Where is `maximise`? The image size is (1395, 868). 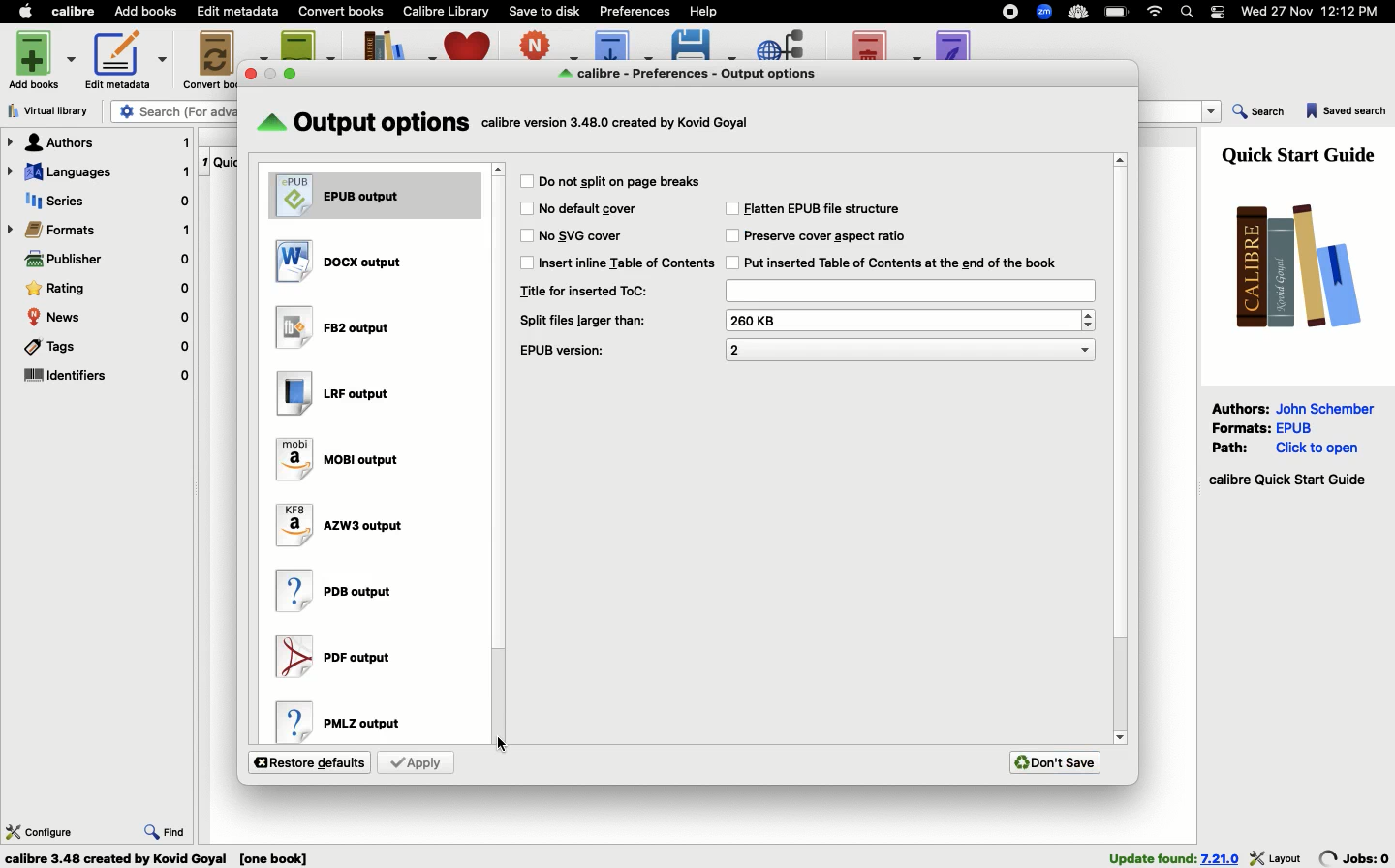
maximise is located at coordinates (293, 73).